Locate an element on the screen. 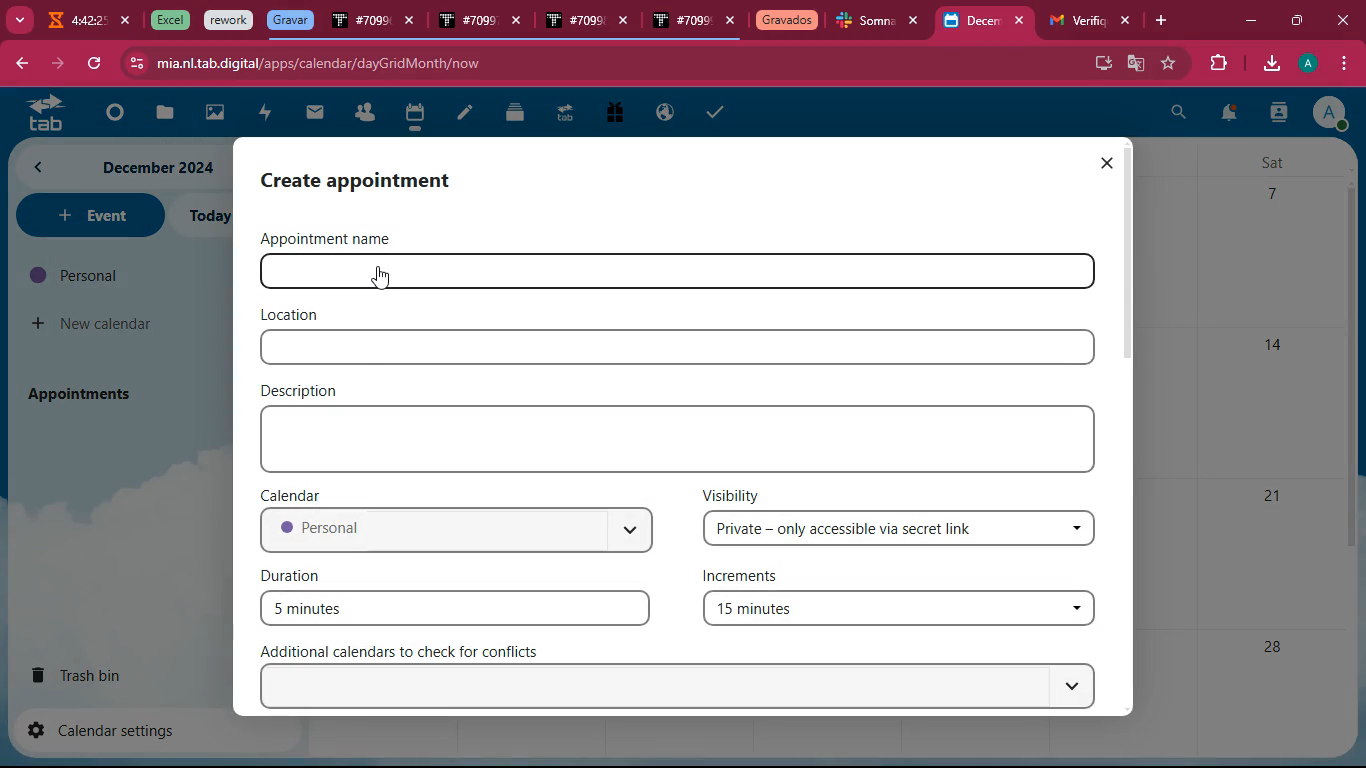  today is located at coordinates (207, 216).